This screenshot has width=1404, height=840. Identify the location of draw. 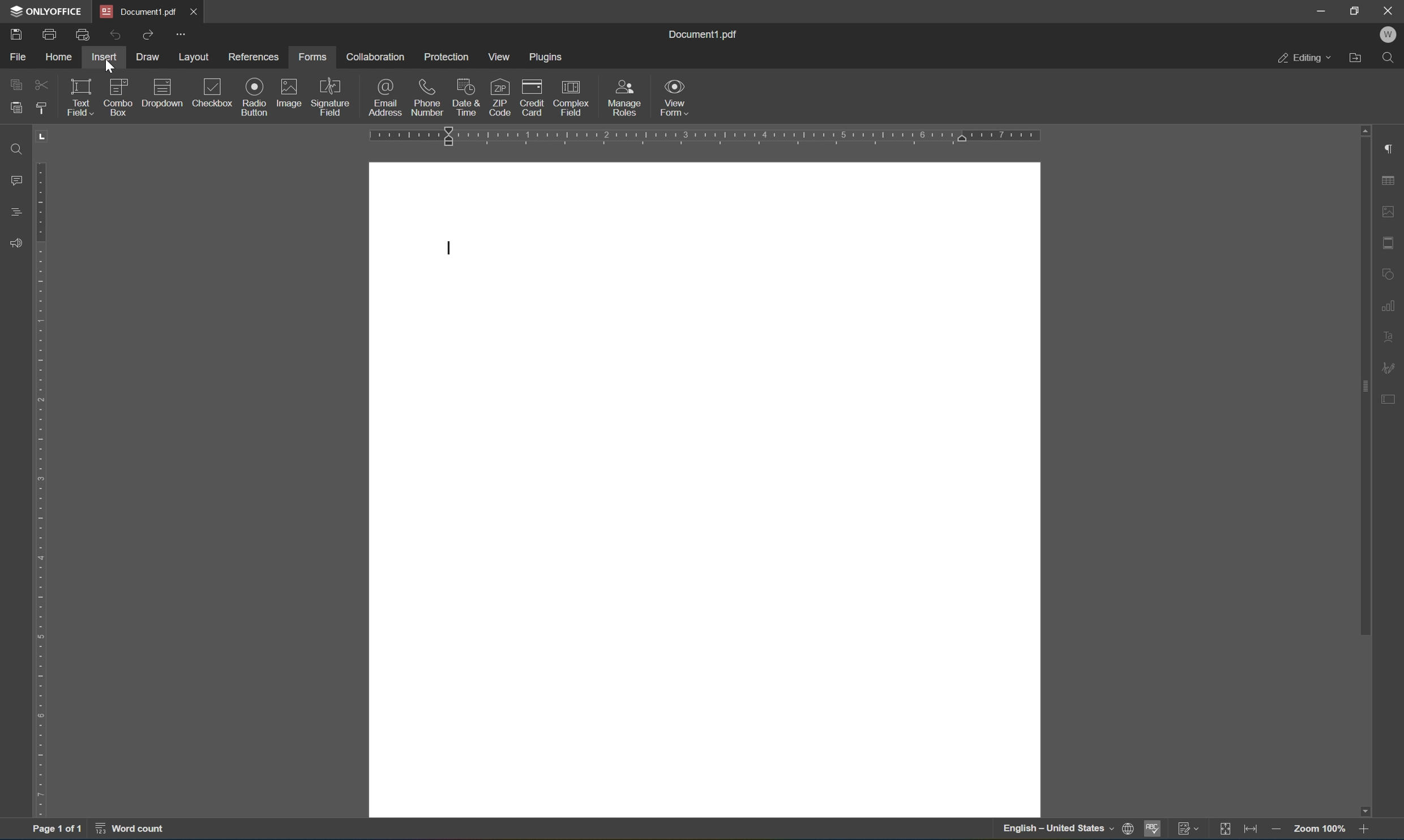
(153, 57).